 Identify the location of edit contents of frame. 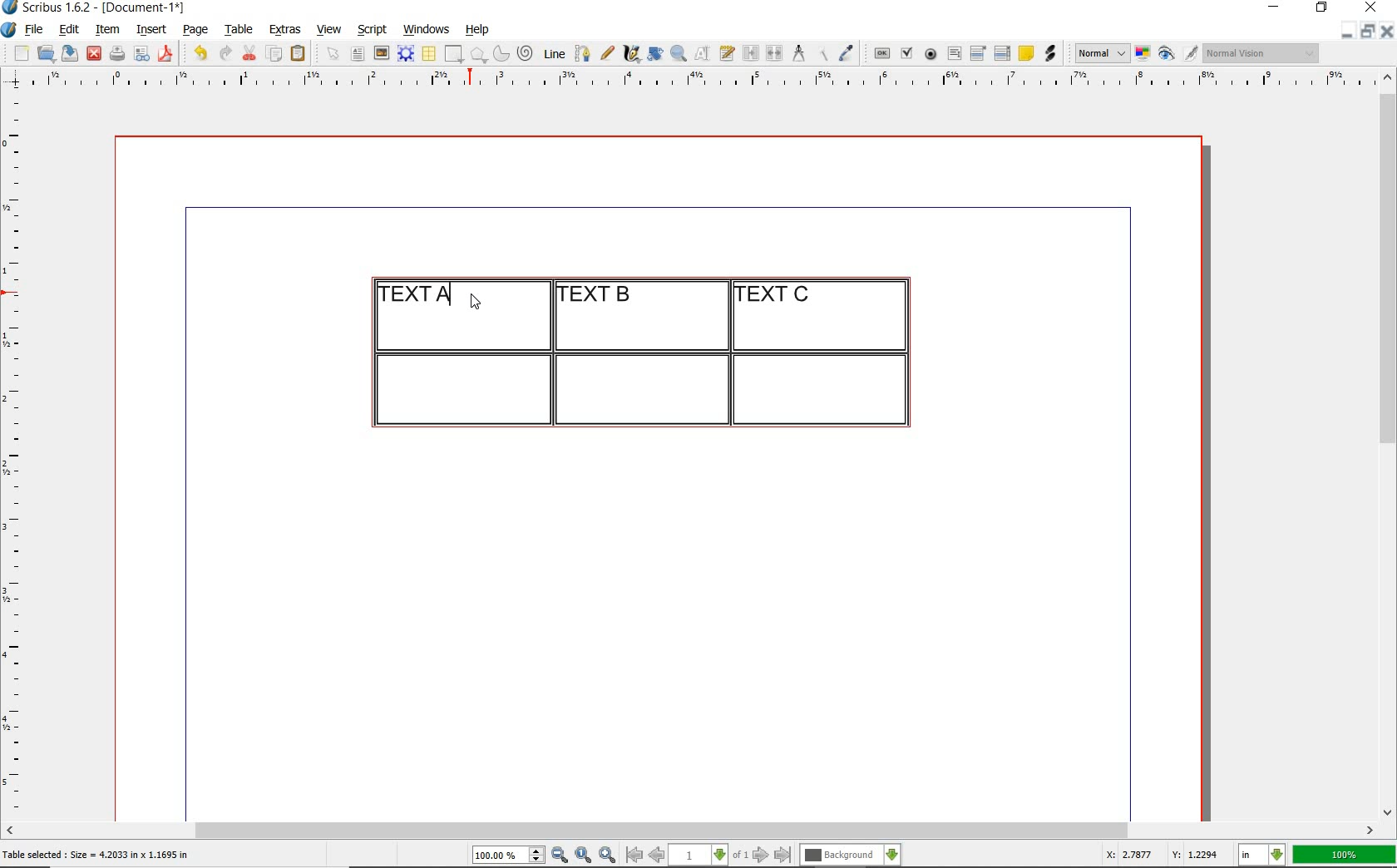
(703, 52).